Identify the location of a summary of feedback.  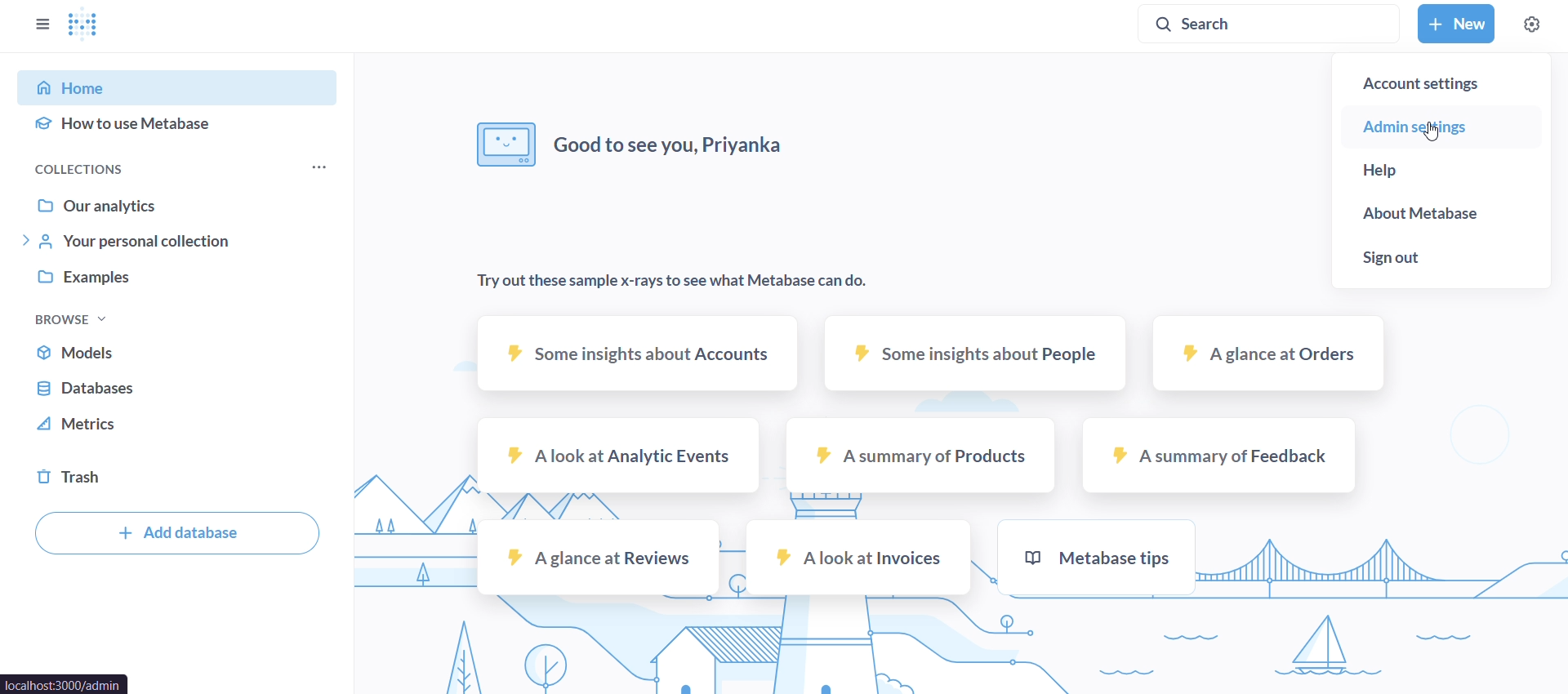
(1220, 456).